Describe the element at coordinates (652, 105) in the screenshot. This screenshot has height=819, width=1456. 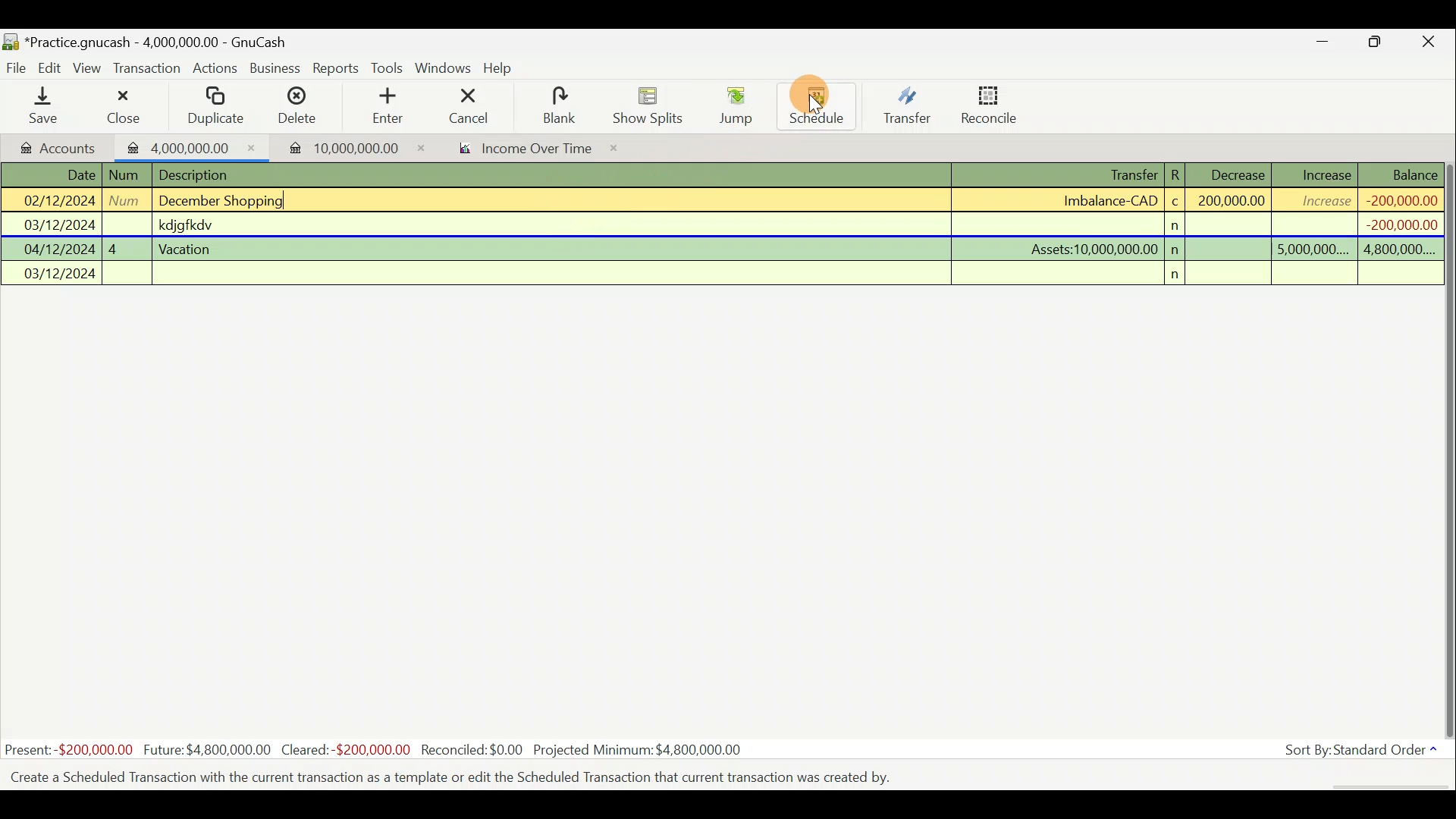
I see `Show splits` at that location.